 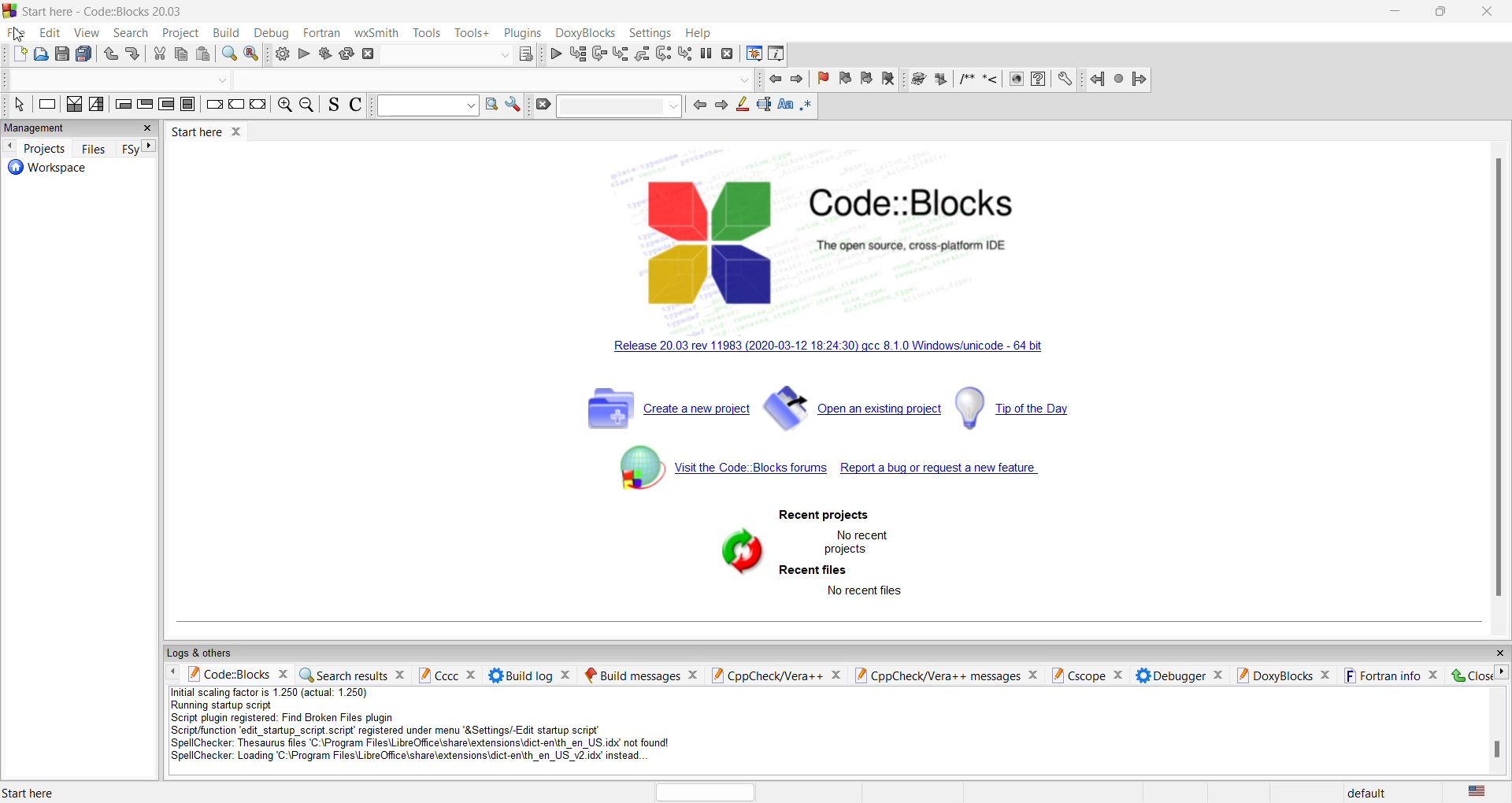 What do you see at coordinates (169, 107) in the screenshot?
I see `next instruction` at bounding box center [169, 107].